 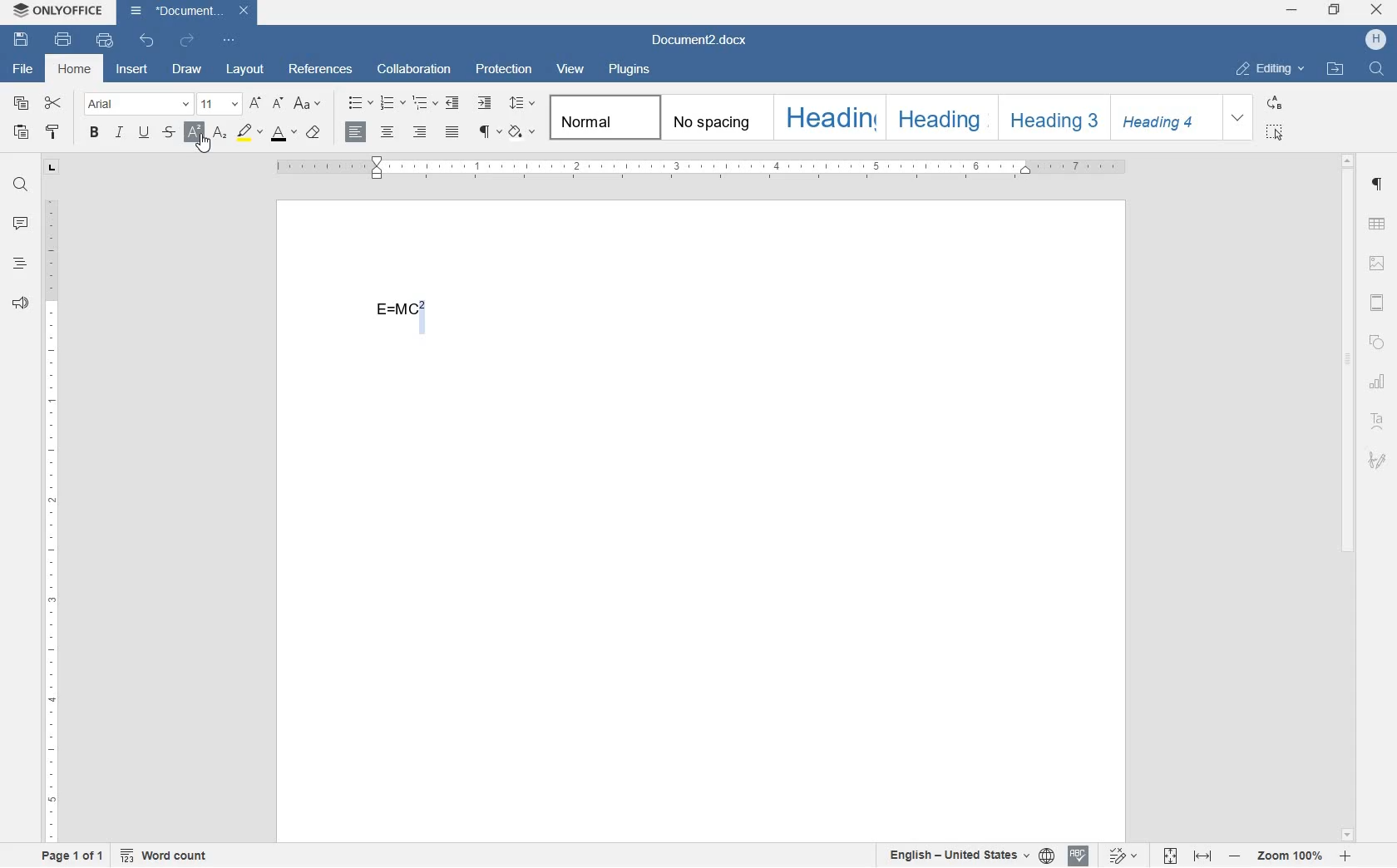 What do you see at coordinates (1158, 118) in the screenshot?
I see `Heading 4` at bounding box center [1158, 118].